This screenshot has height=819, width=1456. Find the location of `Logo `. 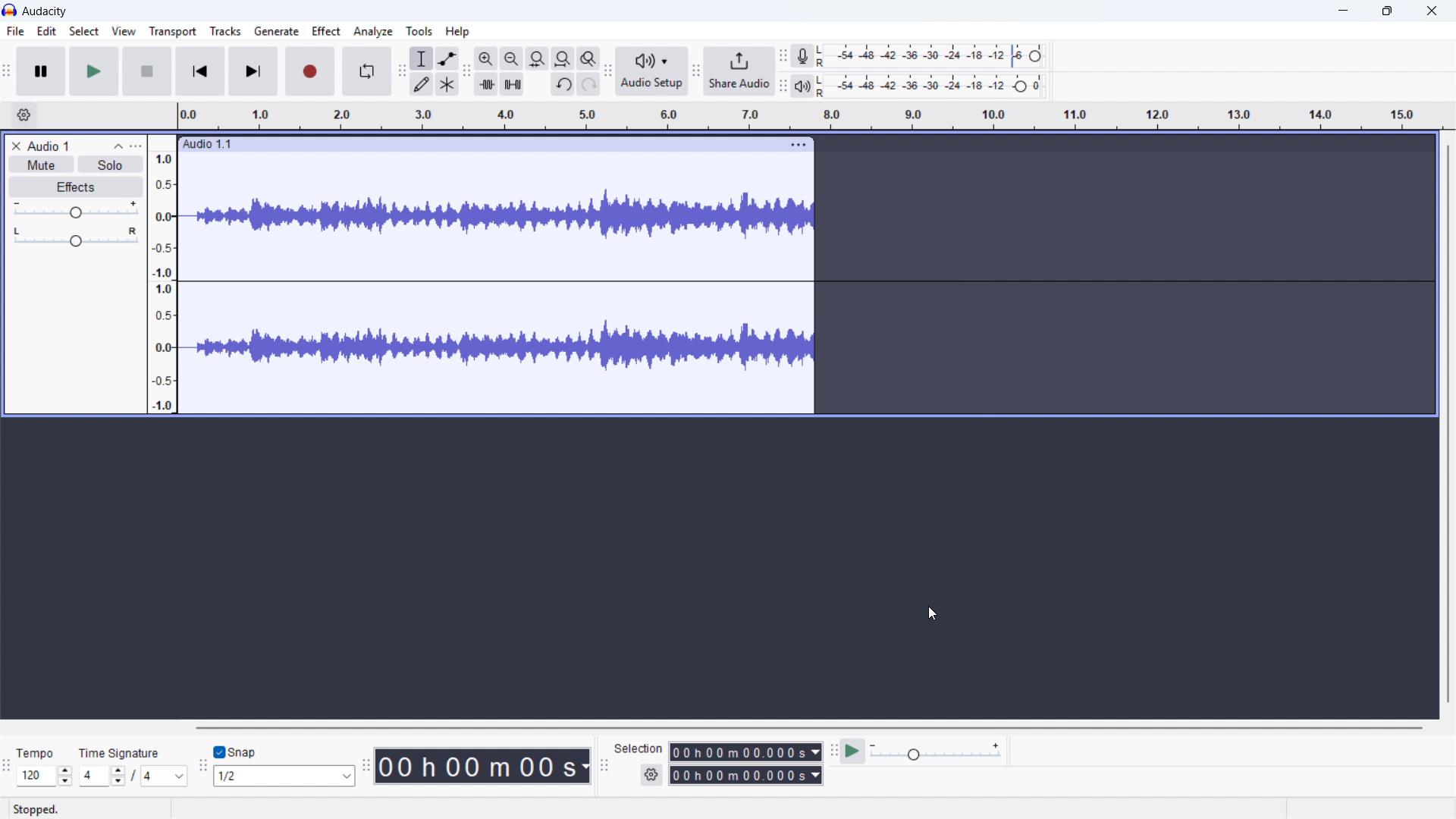

Logo  is located at coordinates (10, 10).